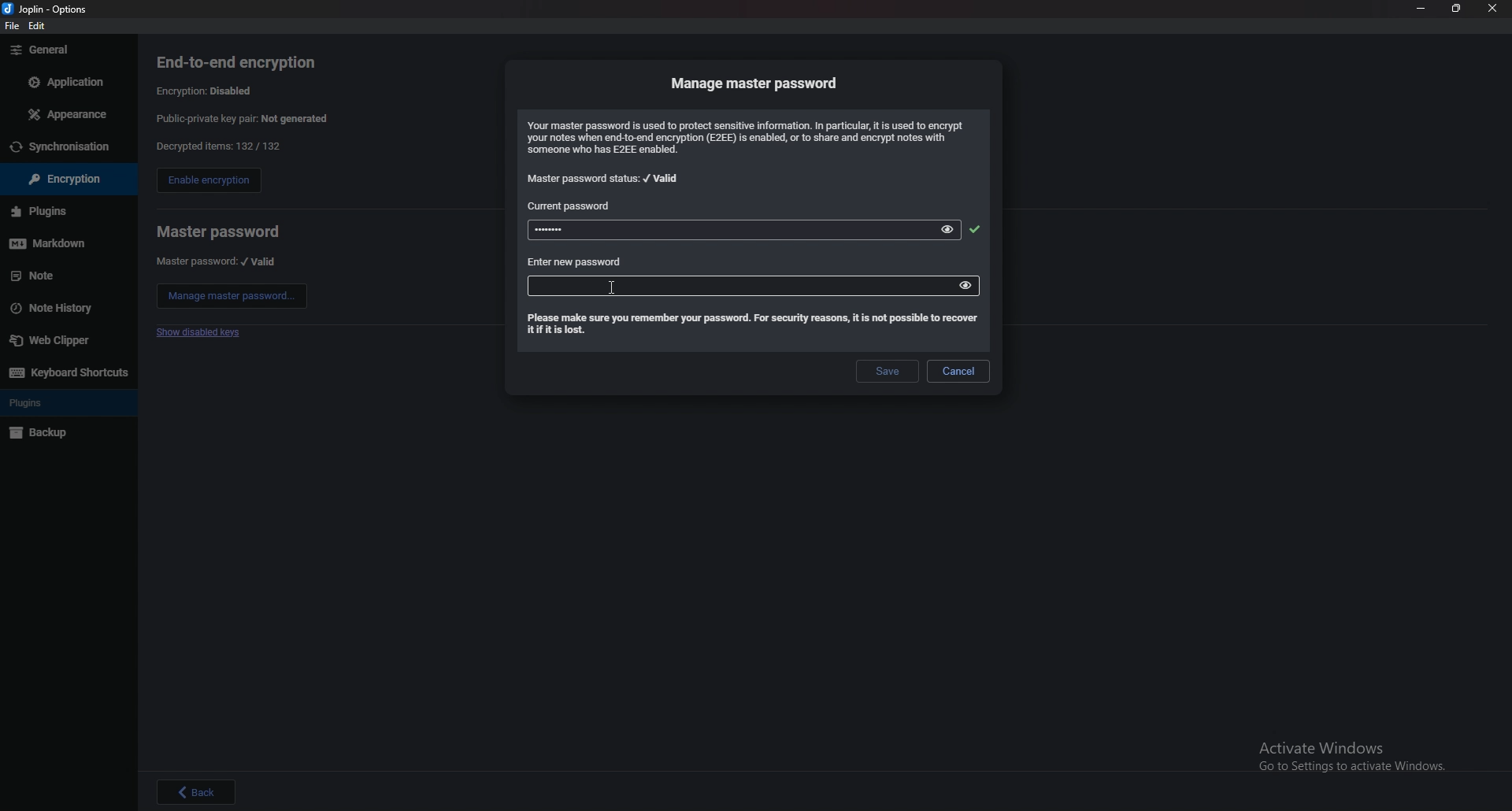 This screenshot has height=811, width=1512. Describe the element at coordinates (750, 137) in the screenshot. I see `info` at that location.